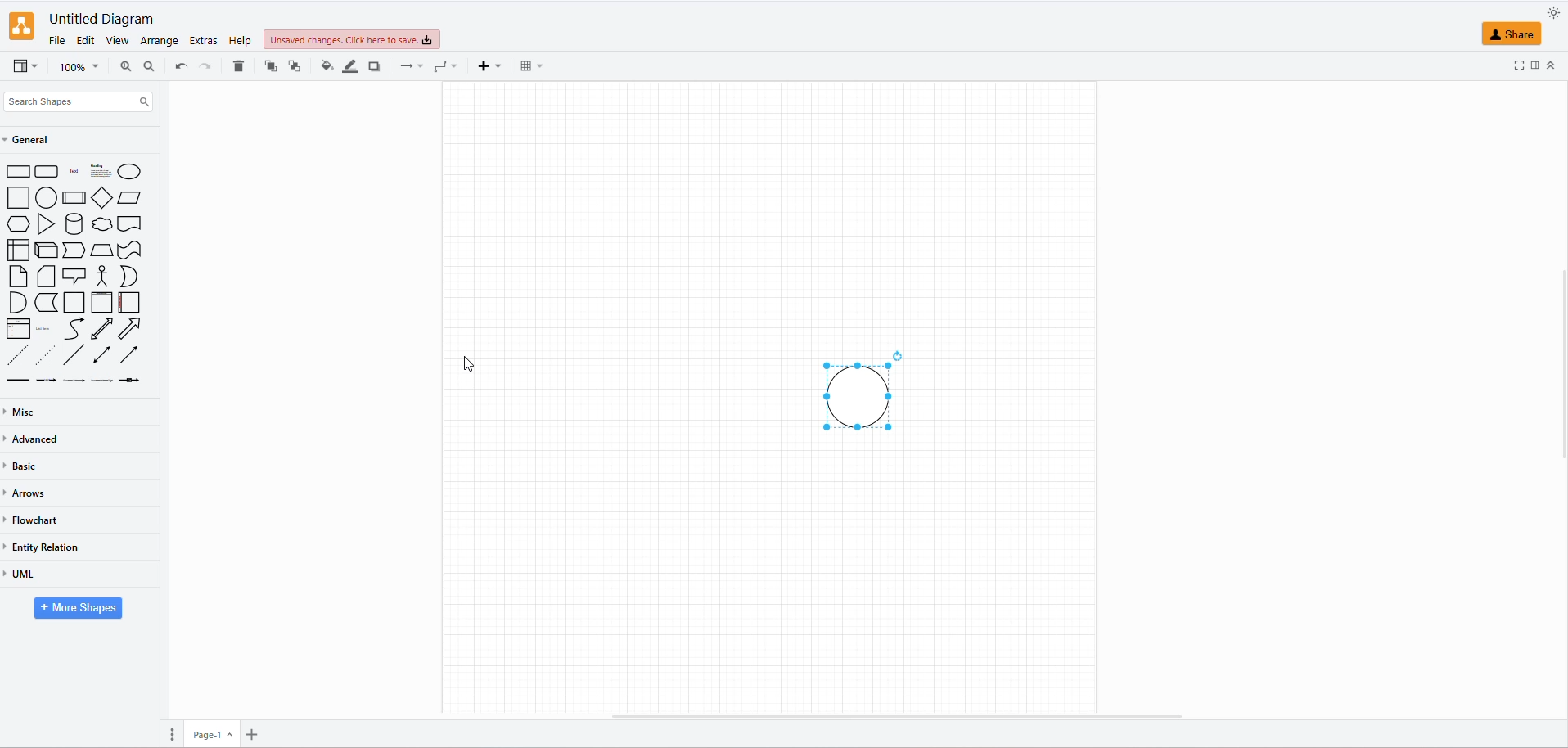  What do you see at coordinates (202, 41) in the screenshot?
I see `EXTRAS` at bounding box center [202, 41].